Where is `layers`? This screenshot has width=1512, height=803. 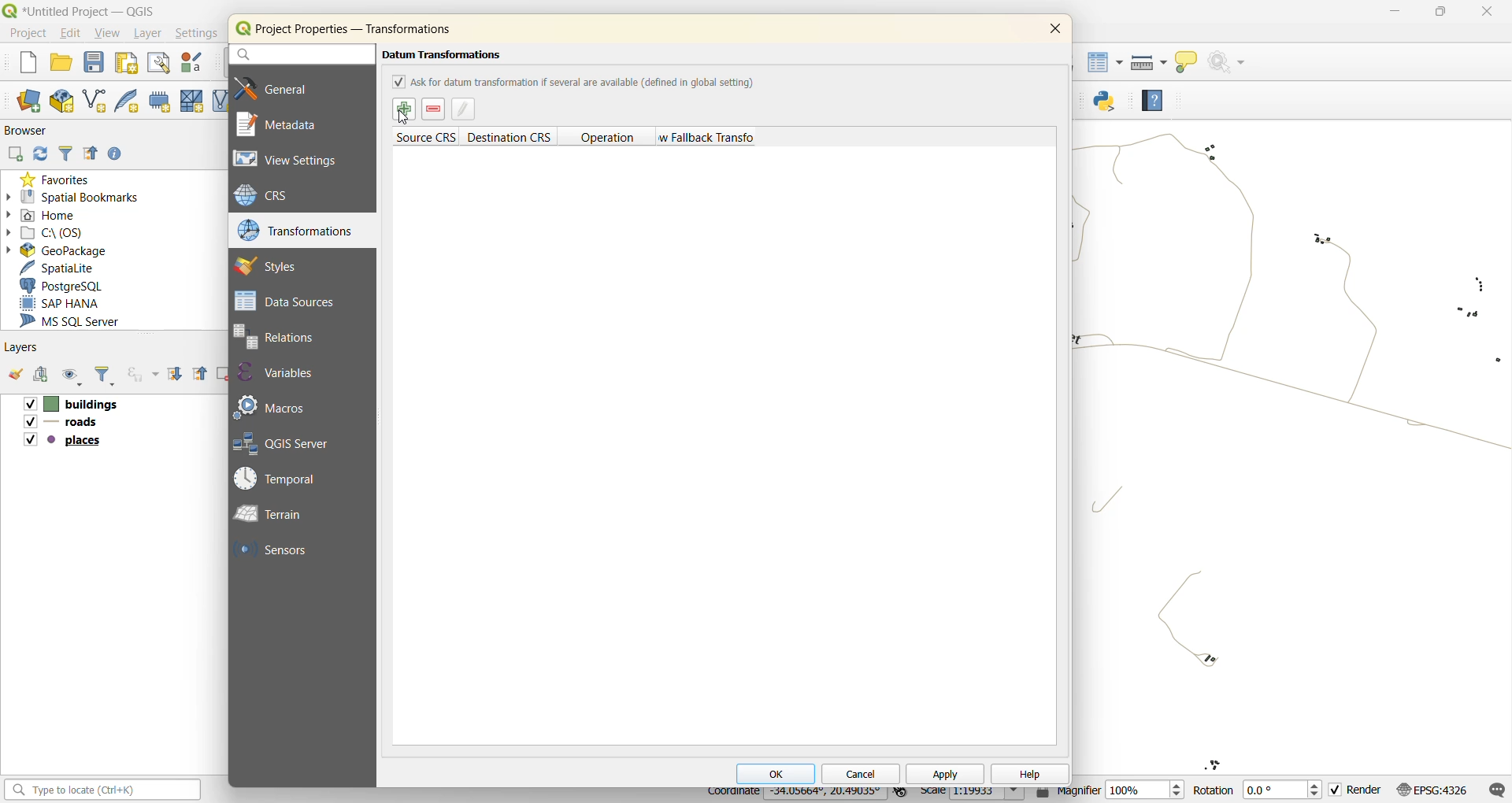 layers is located at coordinates (20, 348).